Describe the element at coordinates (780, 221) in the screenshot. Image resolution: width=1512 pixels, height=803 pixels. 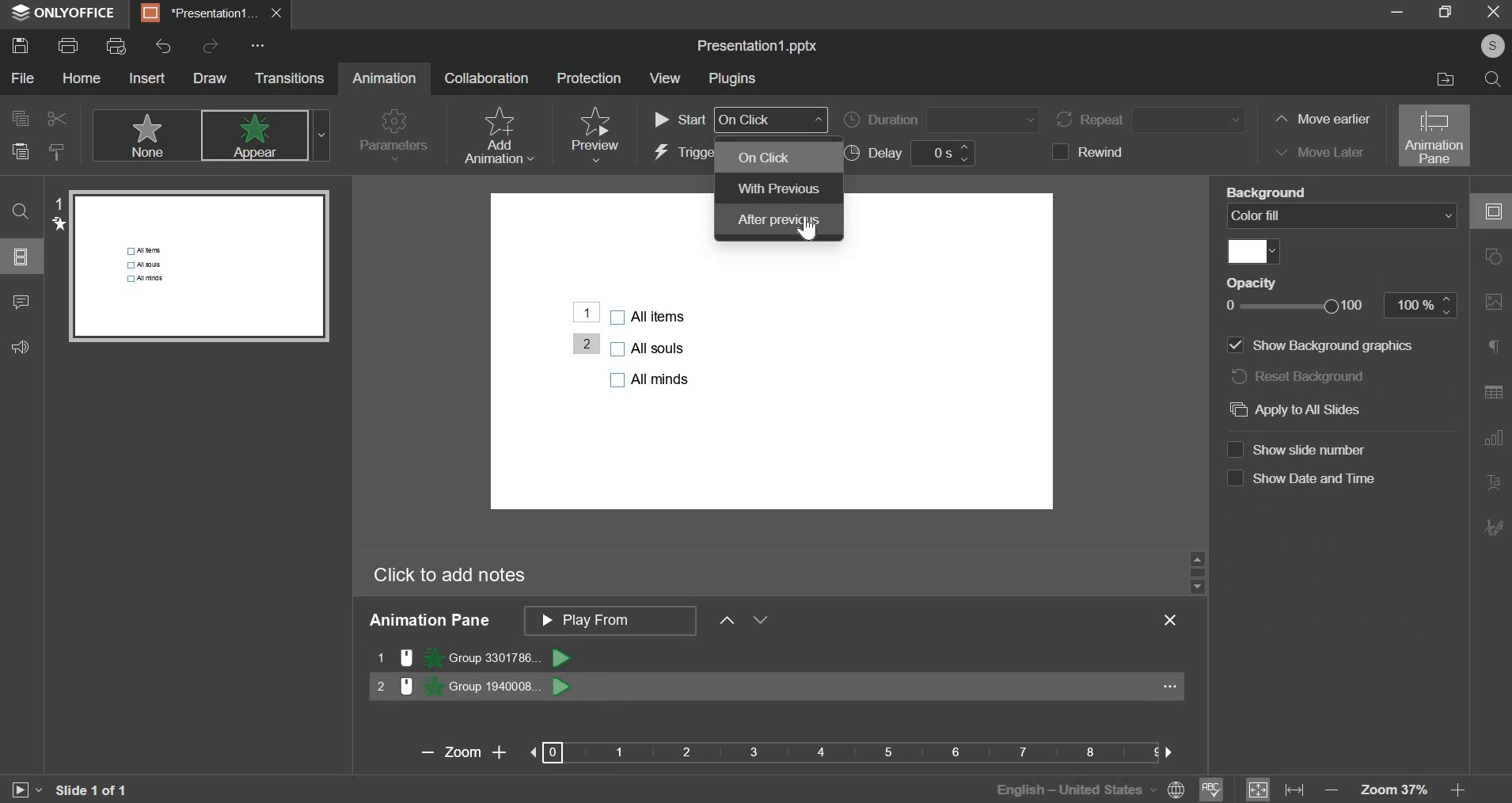
I see `after previous` at that location.